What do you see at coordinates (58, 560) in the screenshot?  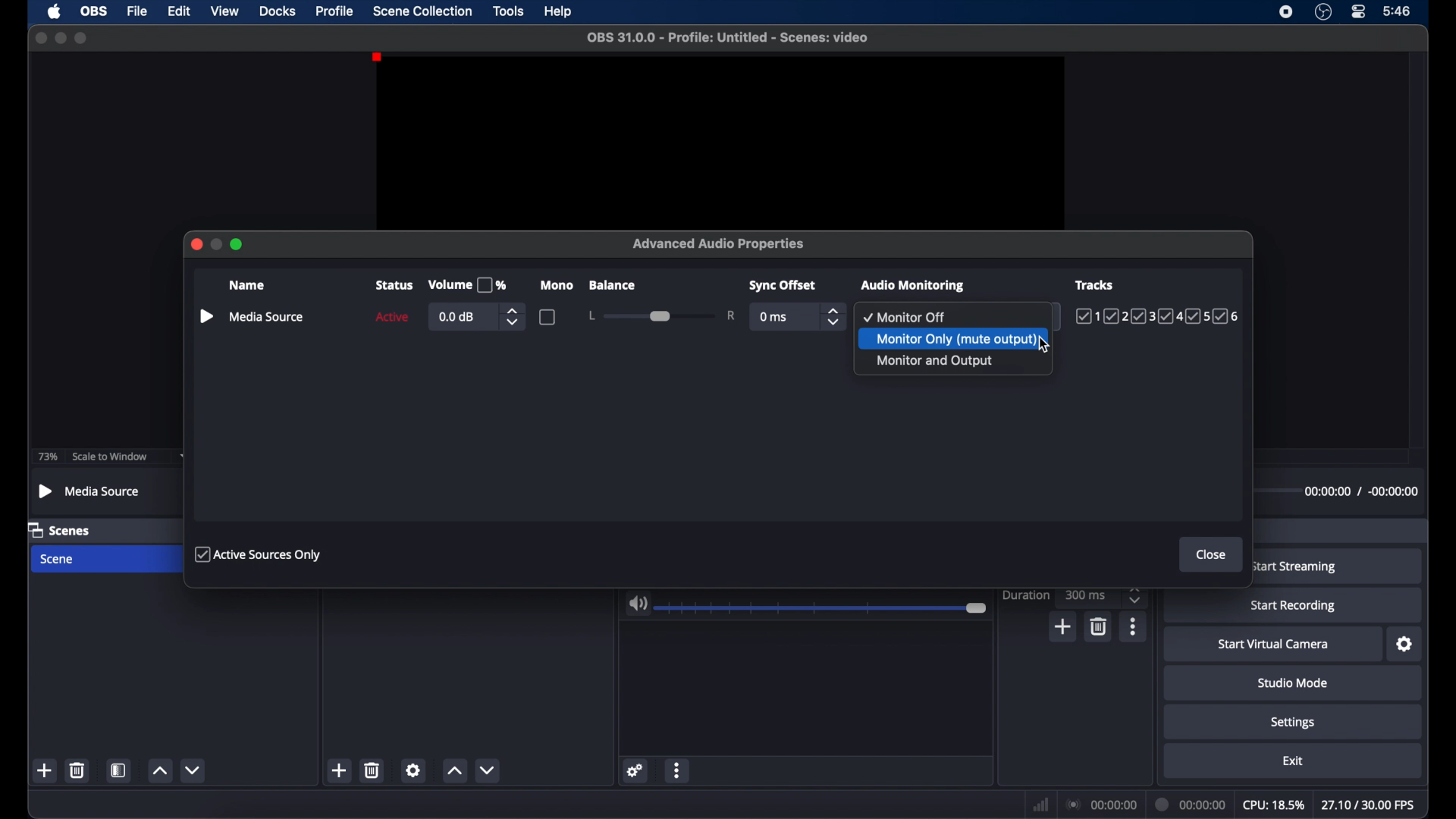 I see `scene` at bounding box center [58, 560].